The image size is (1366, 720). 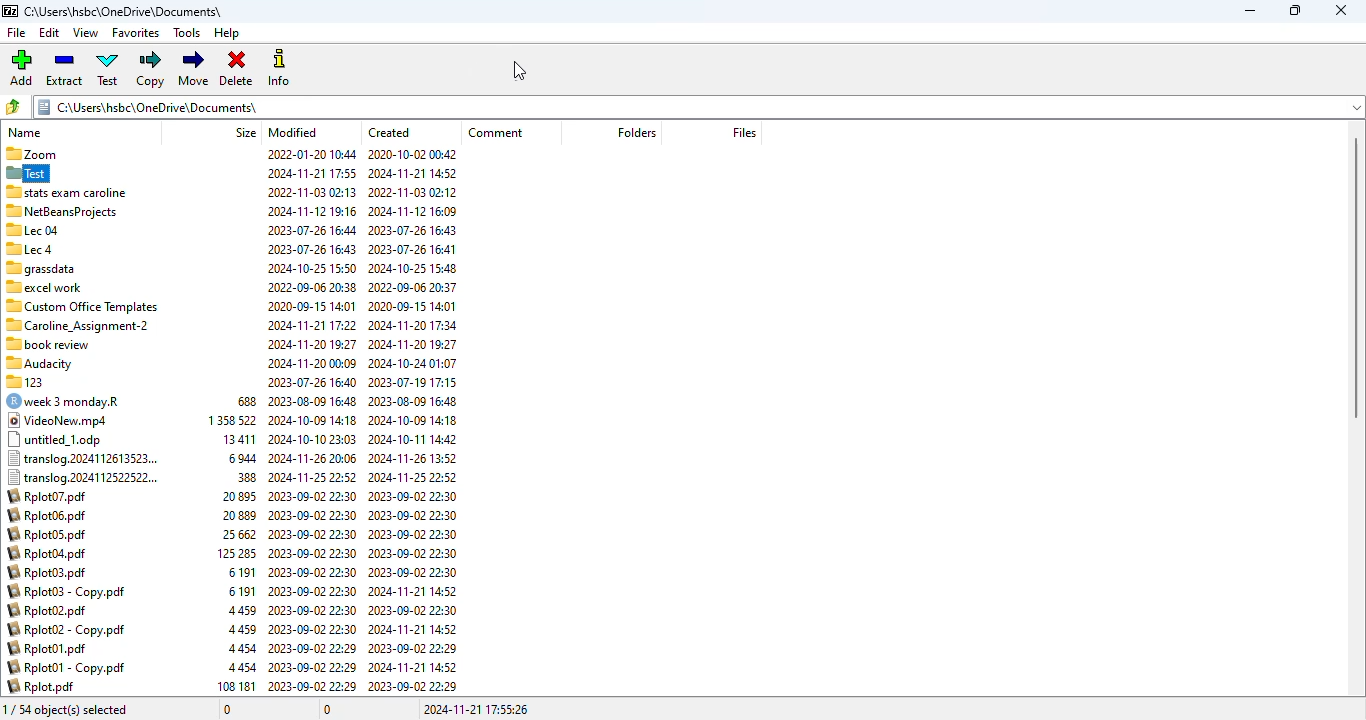 I want to click on Audacity, so click(x=39, y=364).